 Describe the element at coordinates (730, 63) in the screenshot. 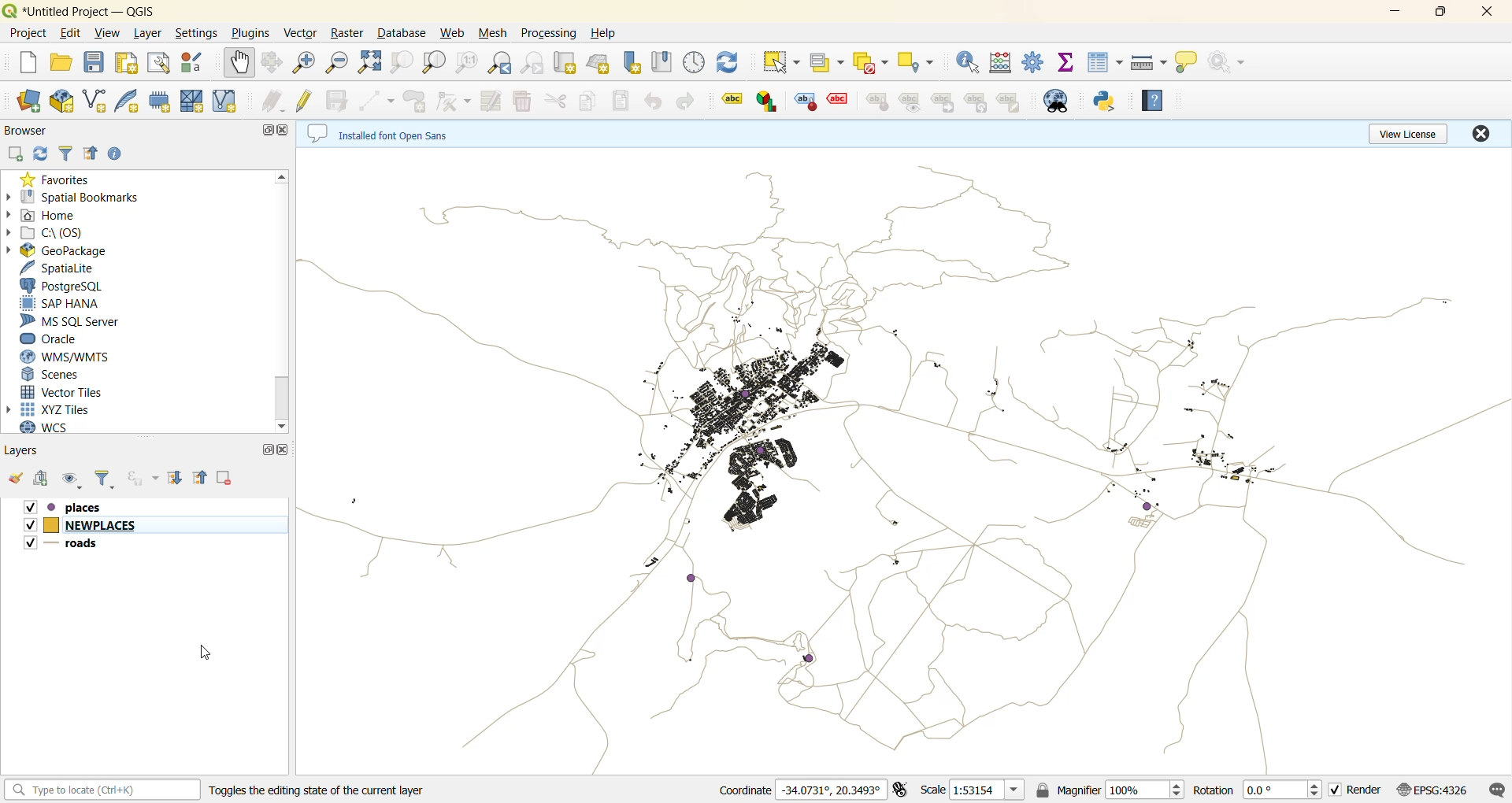

I see `refresh` at that location.